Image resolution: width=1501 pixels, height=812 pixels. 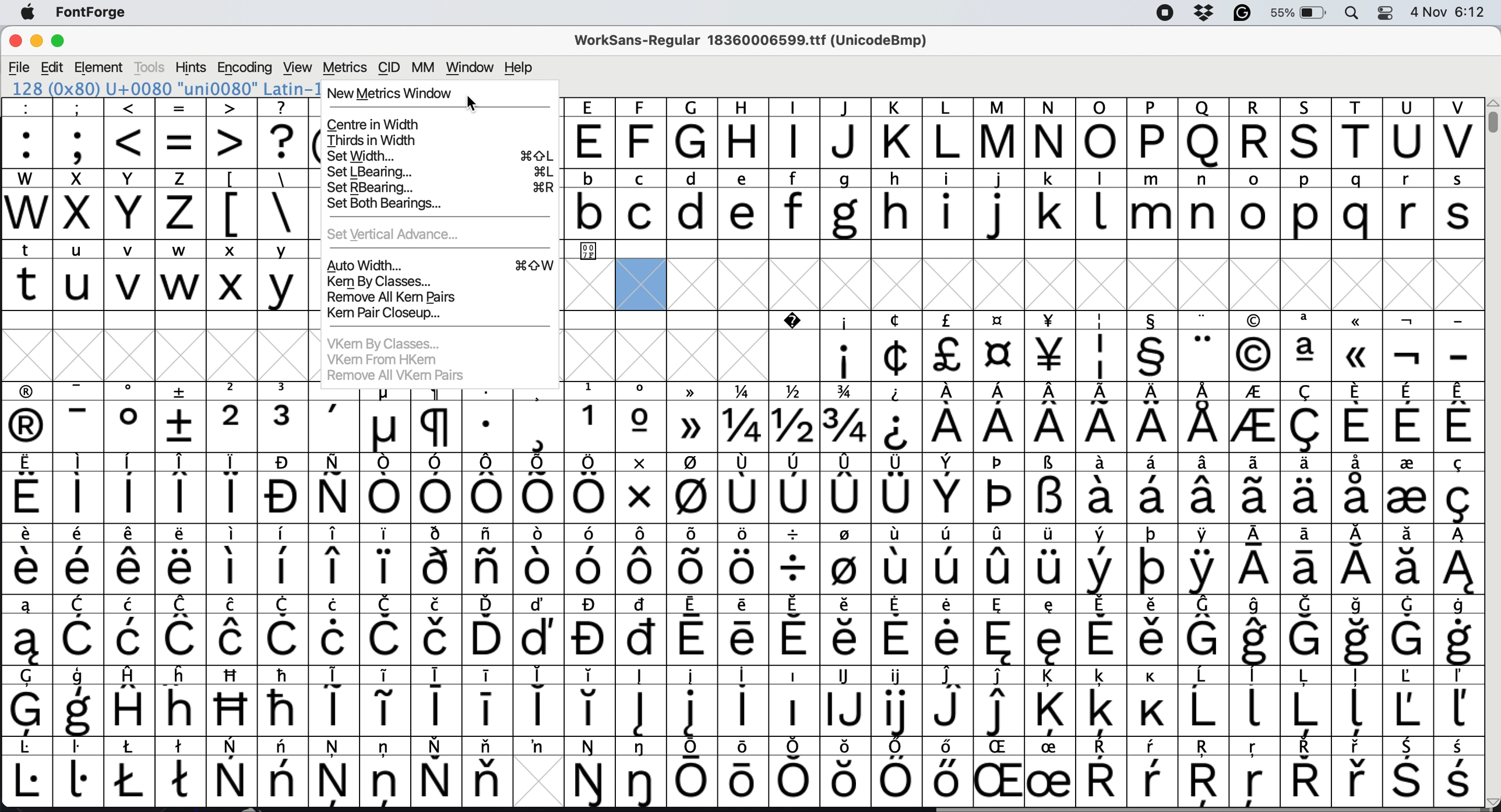 What do you see at coordinates (155, 250) in the screenshot?
I see `lowercase letters` at bounding box center [155, 250].